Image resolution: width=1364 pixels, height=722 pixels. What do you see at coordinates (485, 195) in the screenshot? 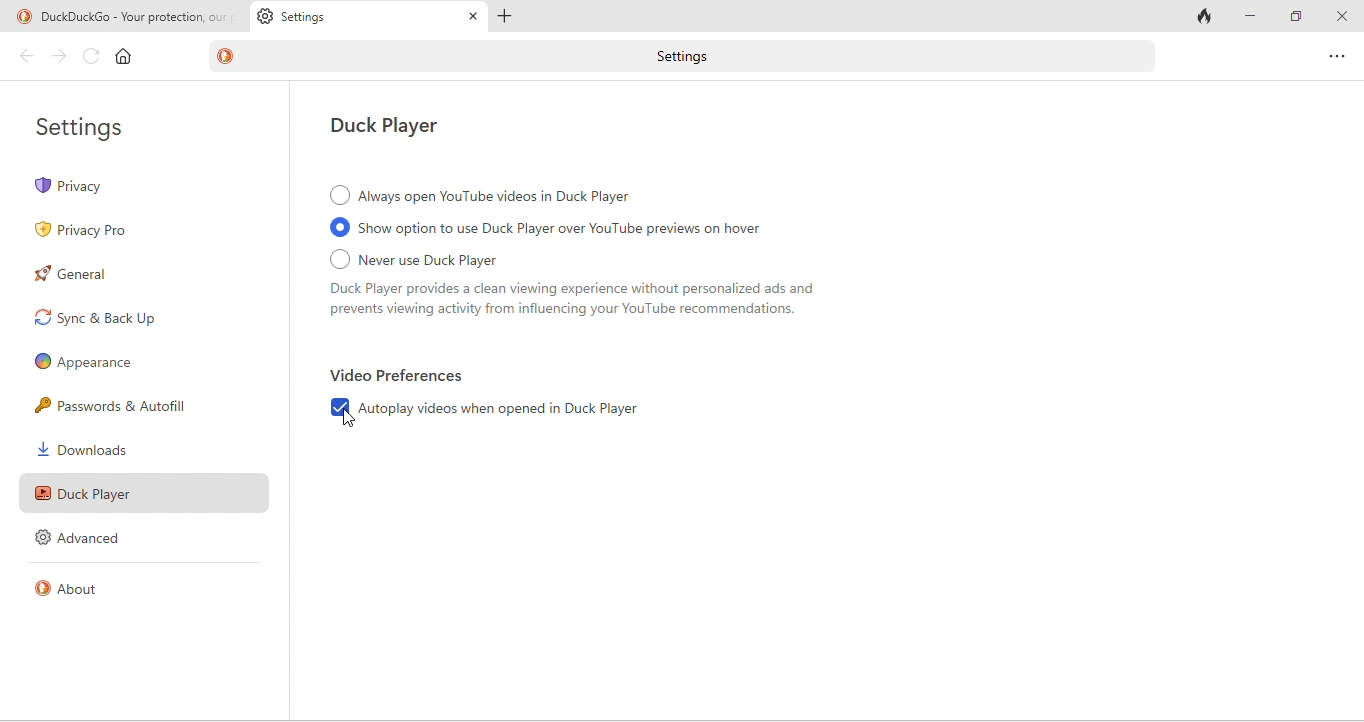
I see `always open youtube videos on duckduckgo` at bounding box center [485, 195].